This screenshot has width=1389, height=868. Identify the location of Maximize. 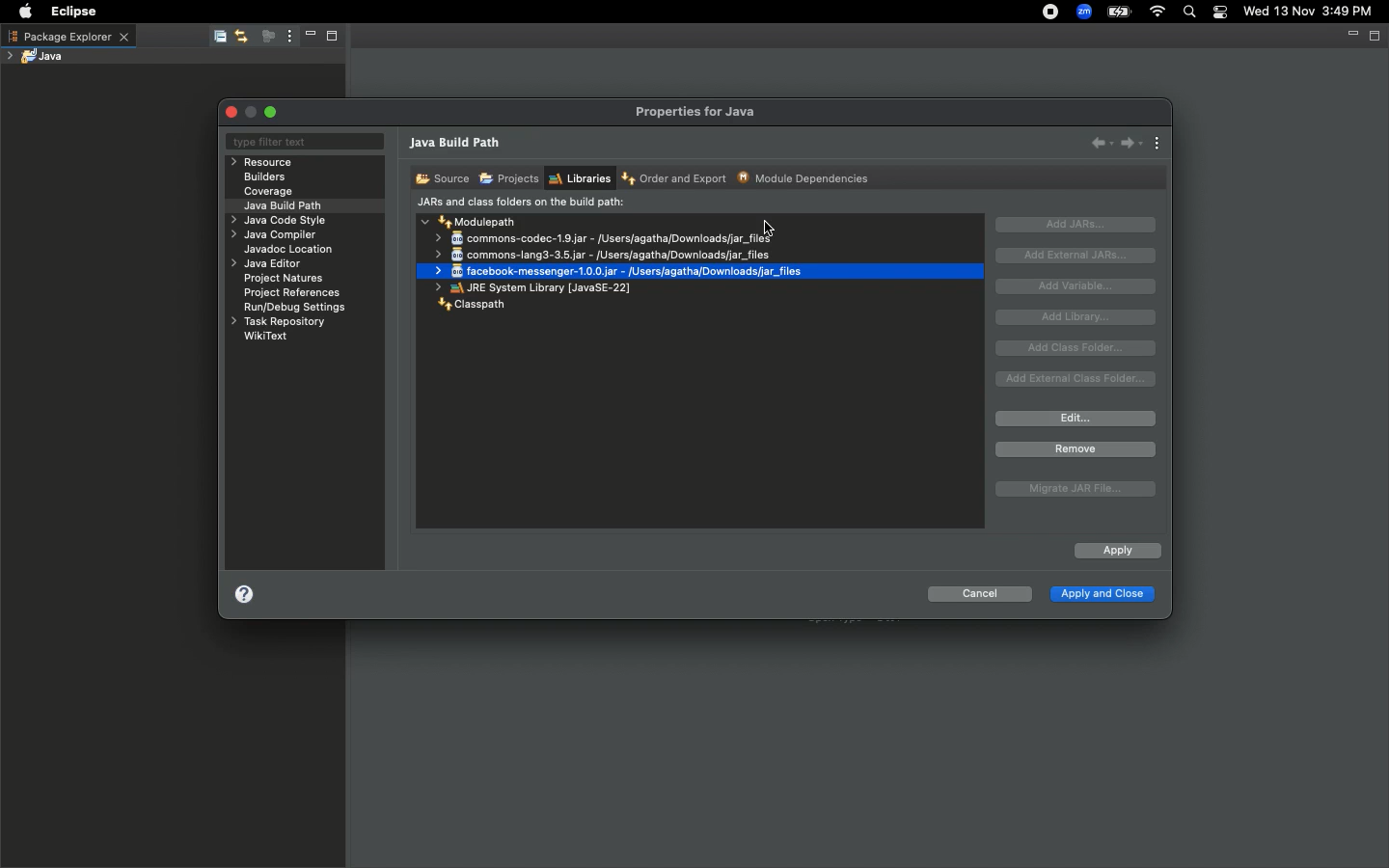
(1376, 37).